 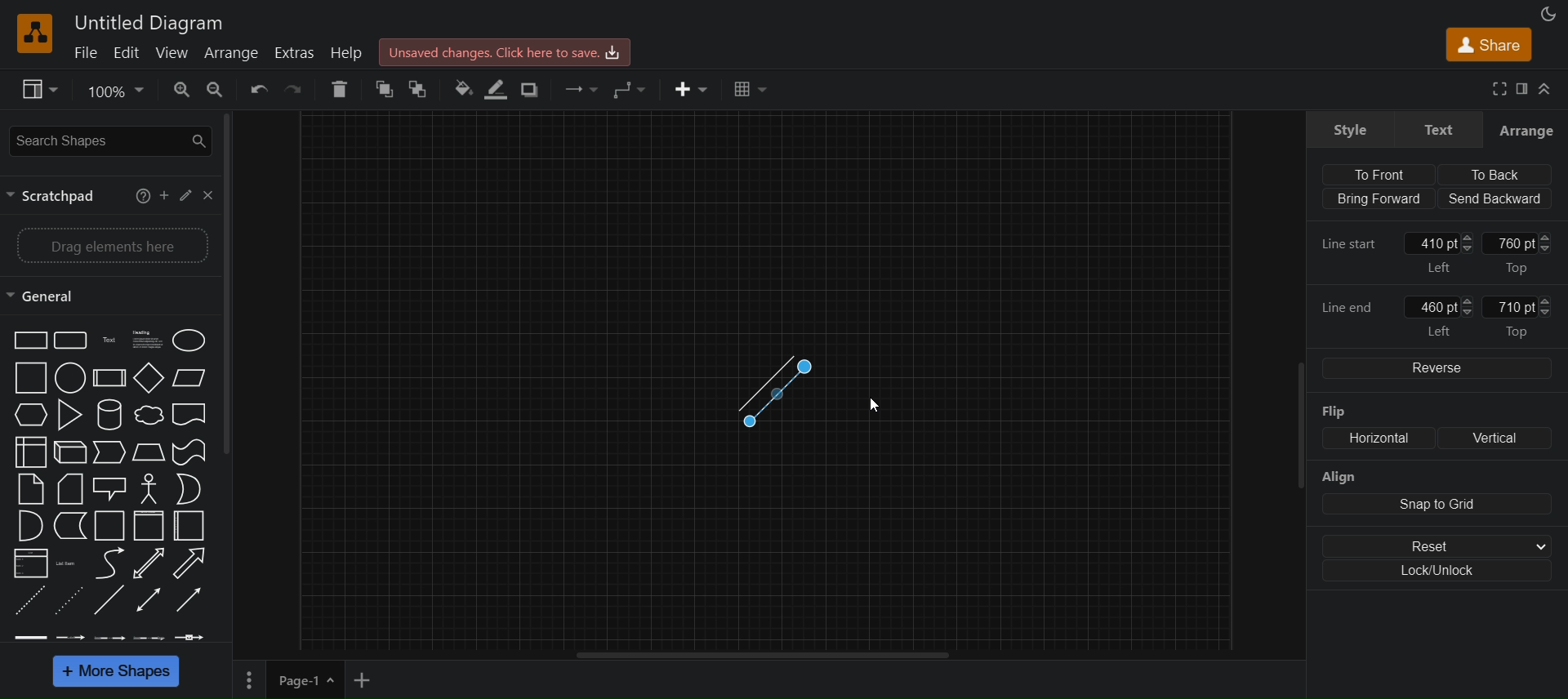 What do you see at coordinates (1547, 15) in the screenshot?
I see `appearance` at bounding box center [1547, 15].